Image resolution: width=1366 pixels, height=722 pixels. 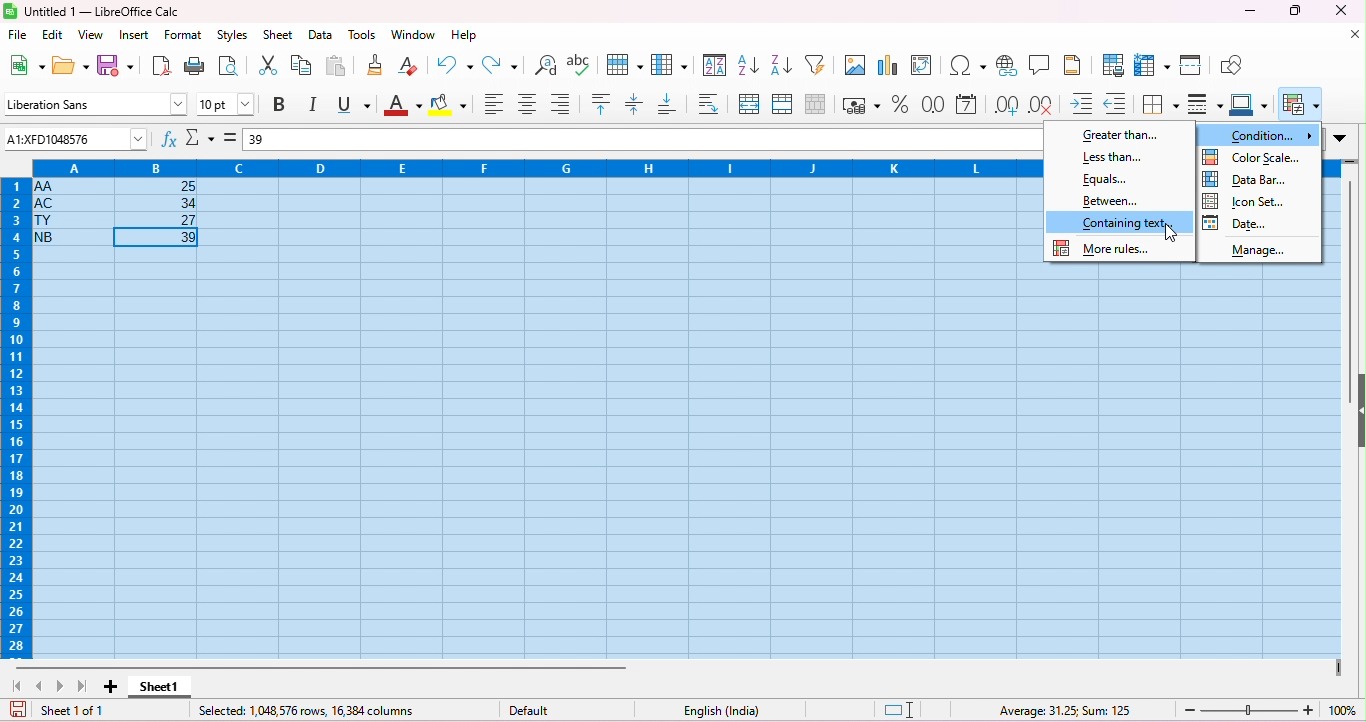 What do you see at coordinates (1251, 179) in the screenshot?
I see `date bar` at bounding box center [1251, 179].